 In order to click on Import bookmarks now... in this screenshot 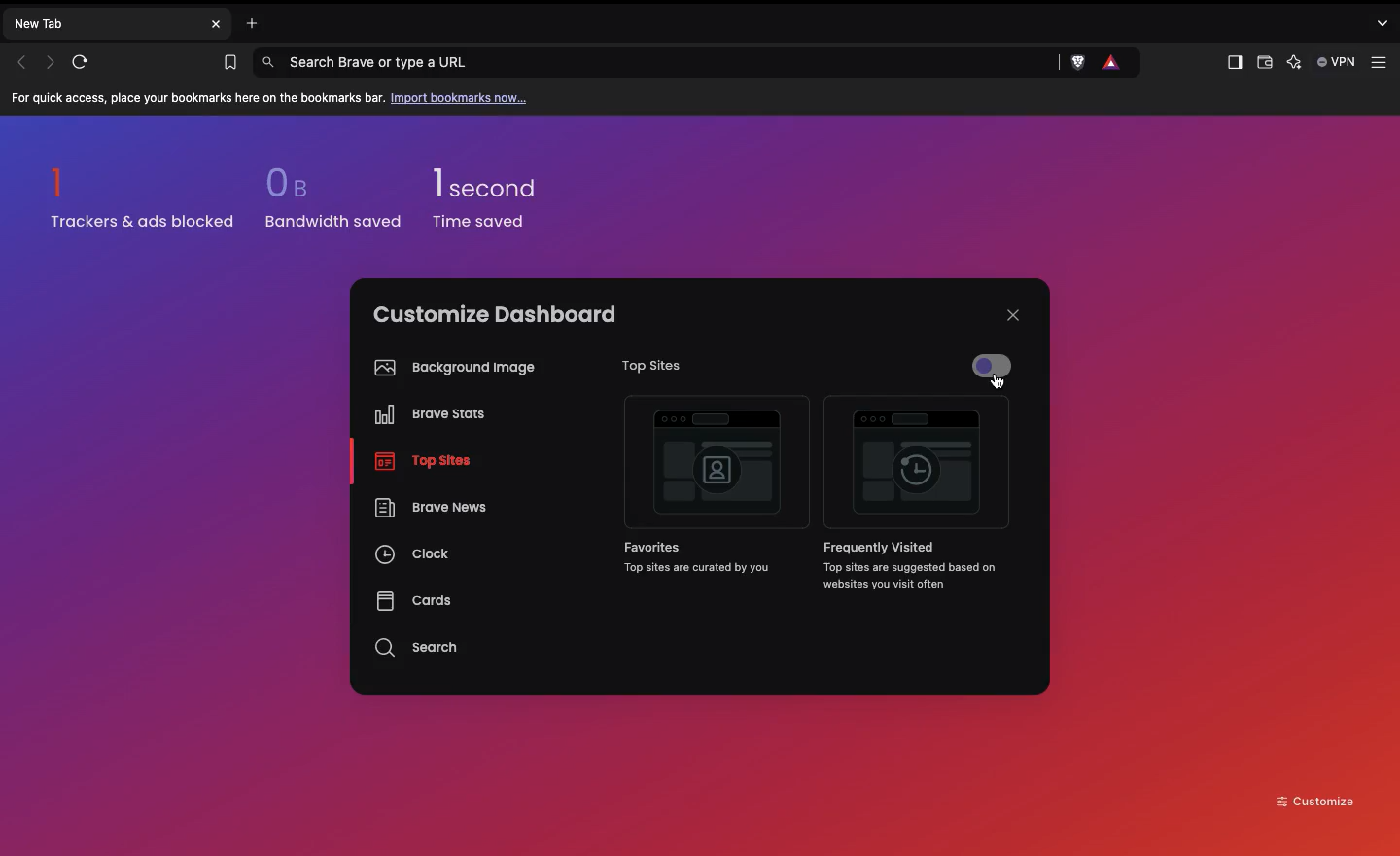, I will do `click(463, 97)`.